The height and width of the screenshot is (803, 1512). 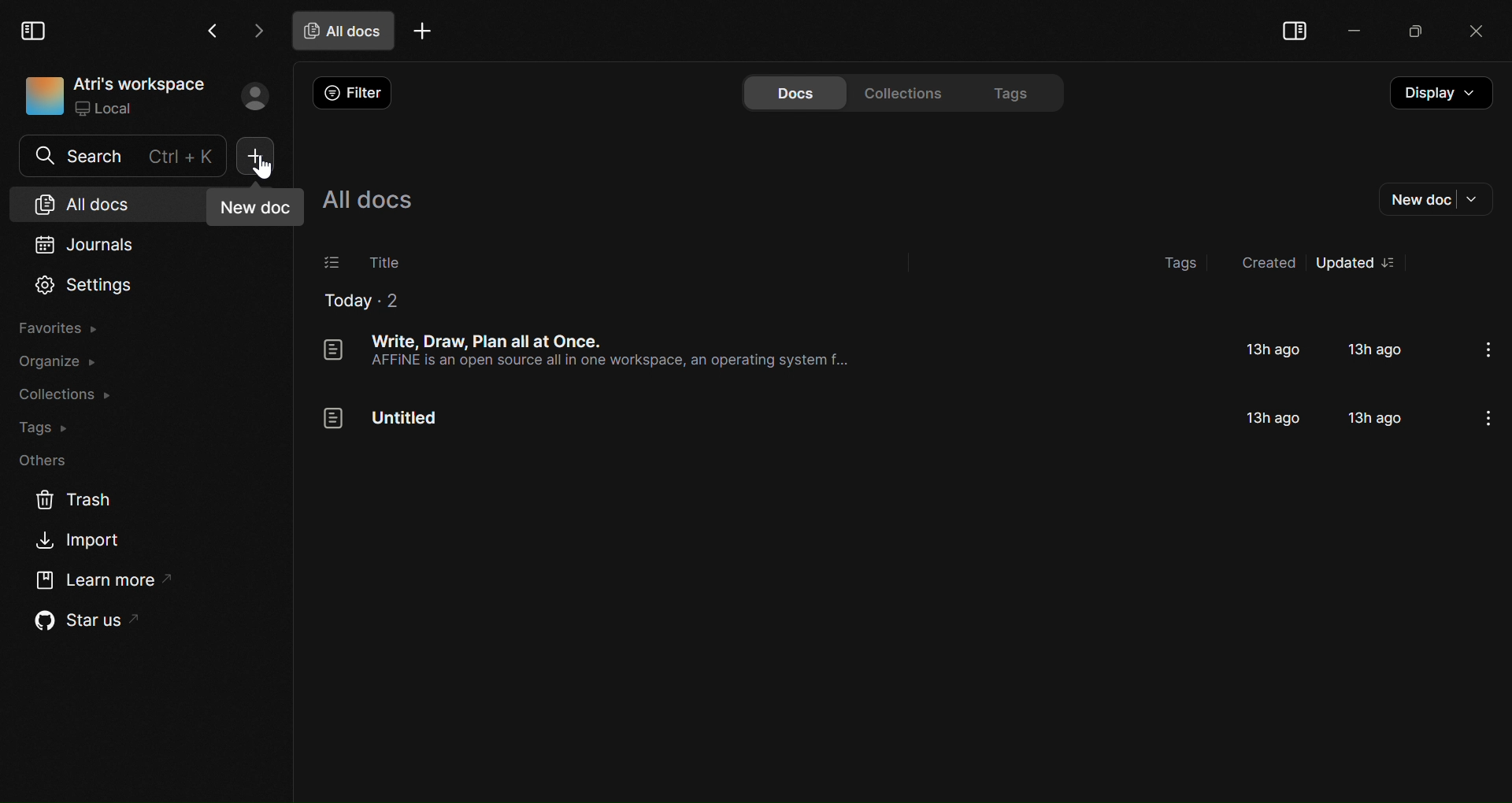 What do you see at coordinates (255, 30) in the screenshot?
I see `Go forward` at bounding box center [255, 30].